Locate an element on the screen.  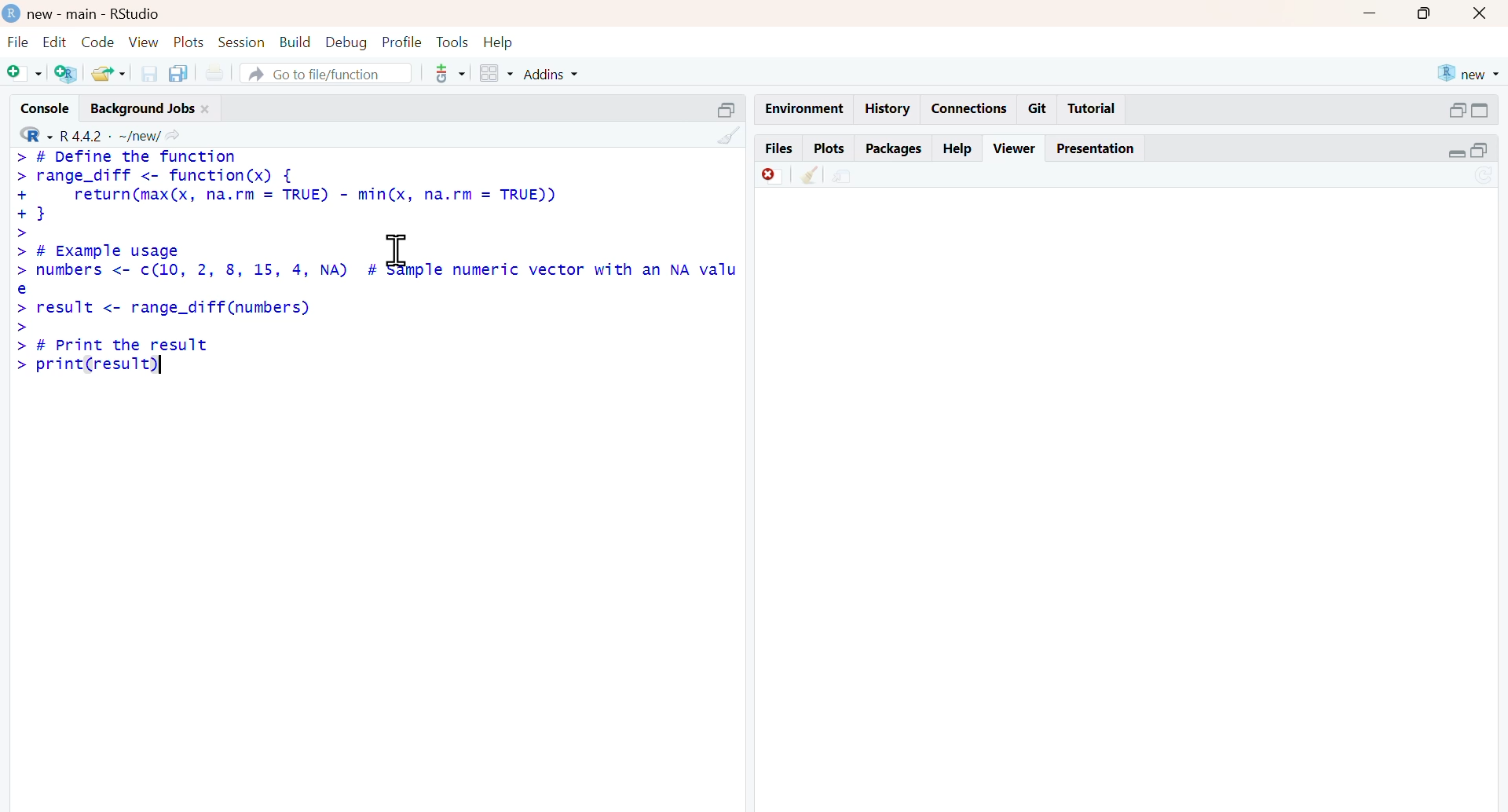
view is located at coordinates (144, 42).